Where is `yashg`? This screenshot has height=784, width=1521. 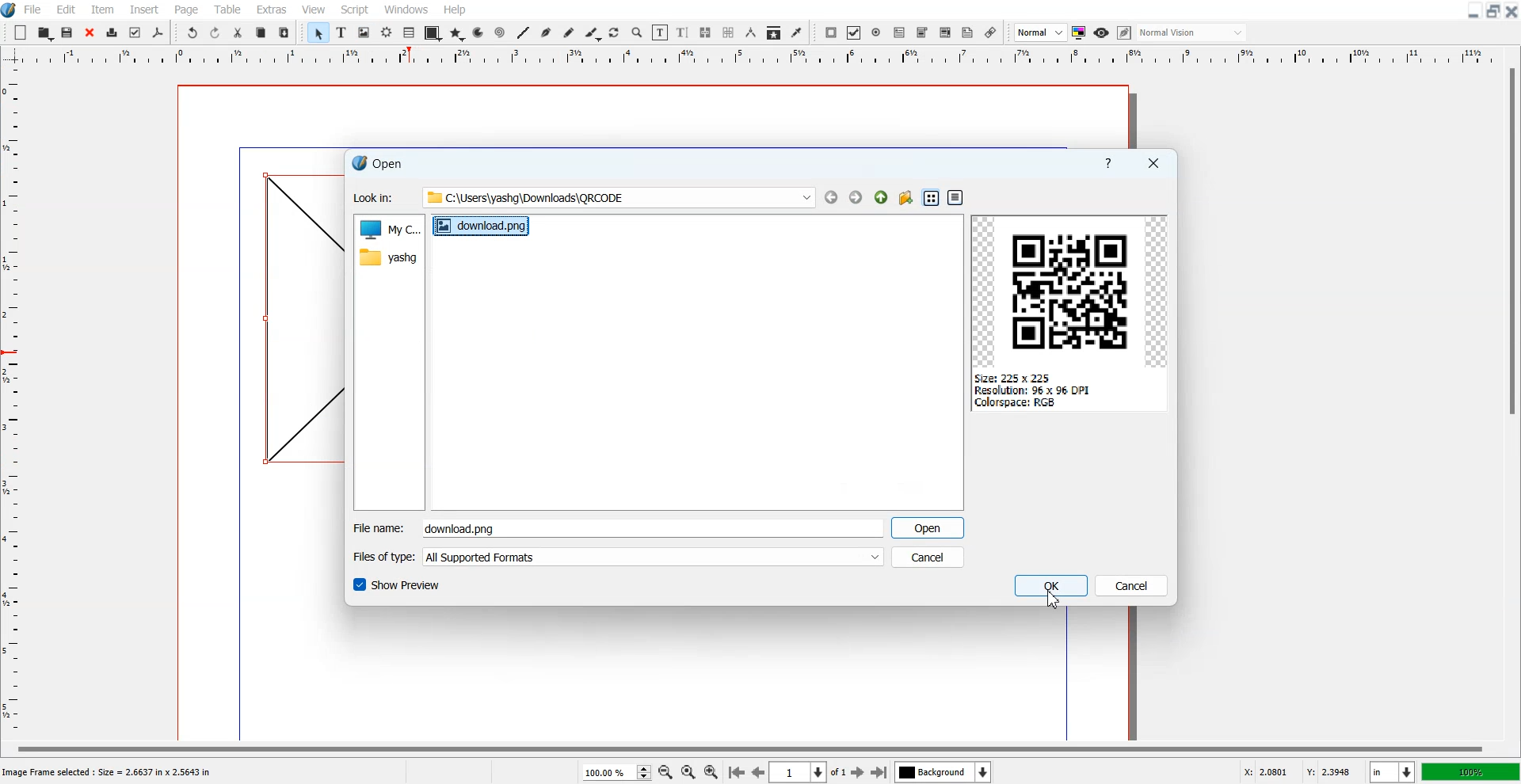
yashg is located at coordinates (388, 256).